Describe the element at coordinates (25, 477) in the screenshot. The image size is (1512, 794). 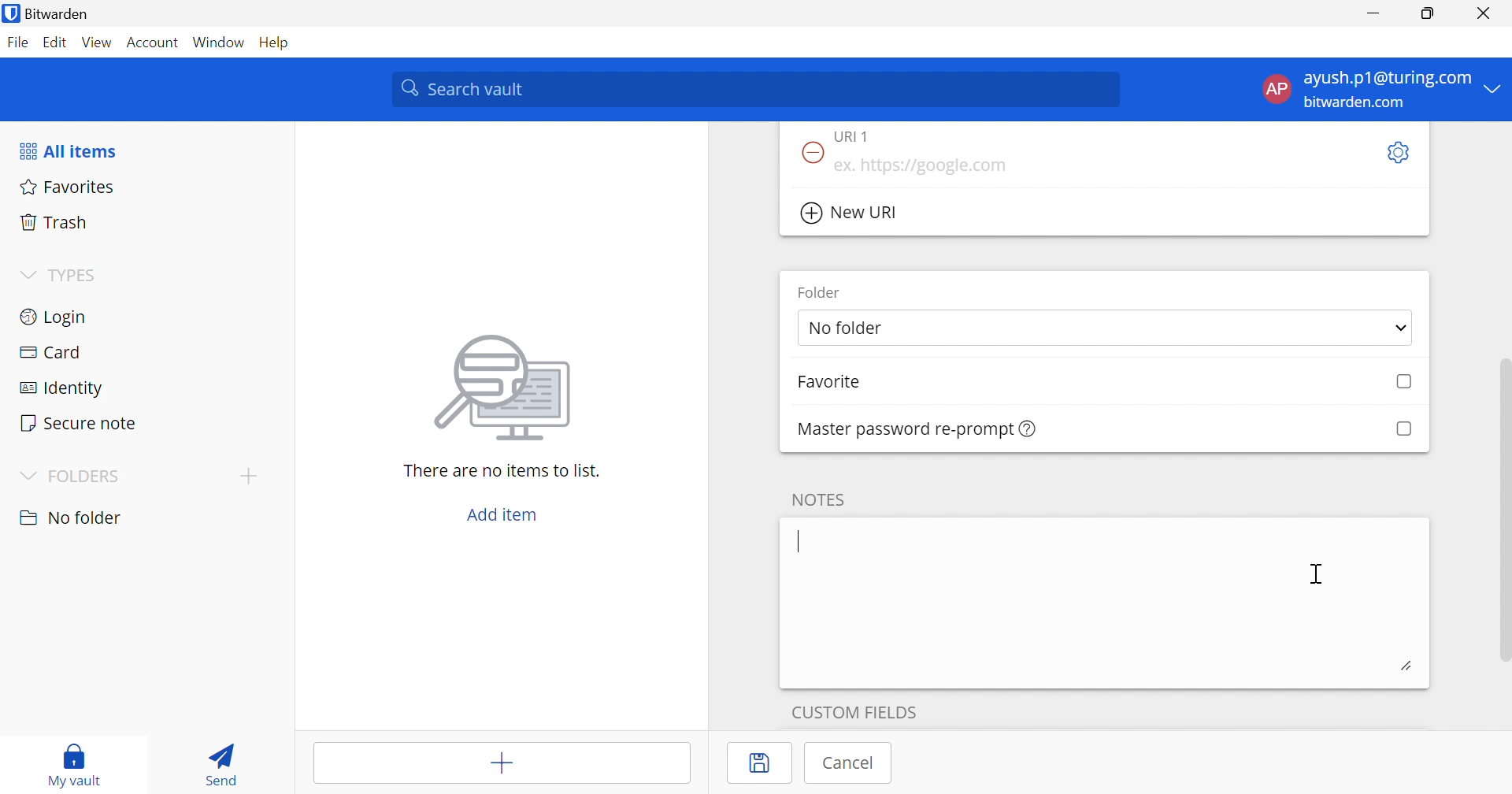
I see `Drop Down` at that location.